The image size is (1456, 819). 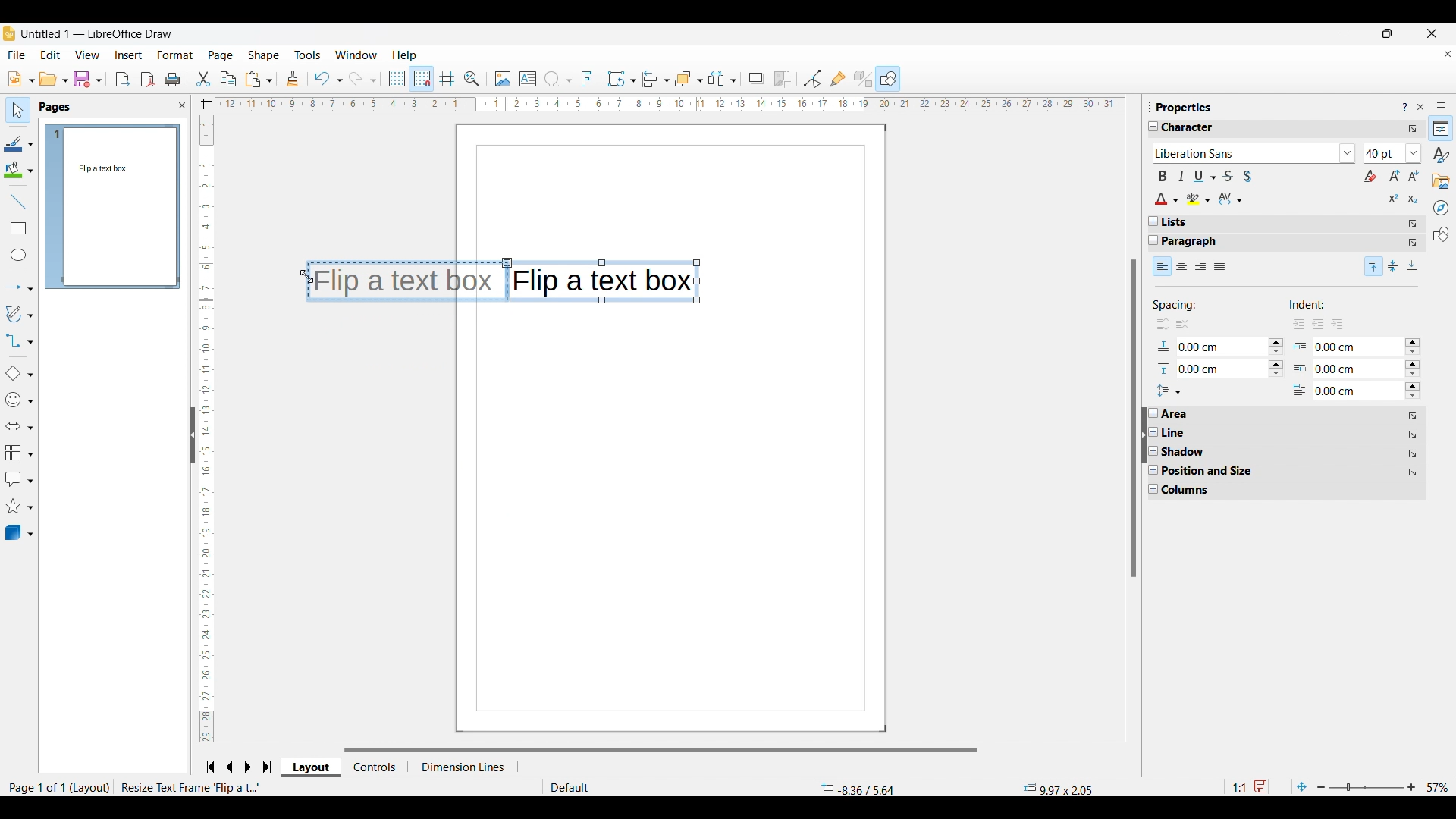 What do you see at coordinates (1421, 107) in the screenshot?
I see `Close sidebar` at bounding box center [1421, 107].